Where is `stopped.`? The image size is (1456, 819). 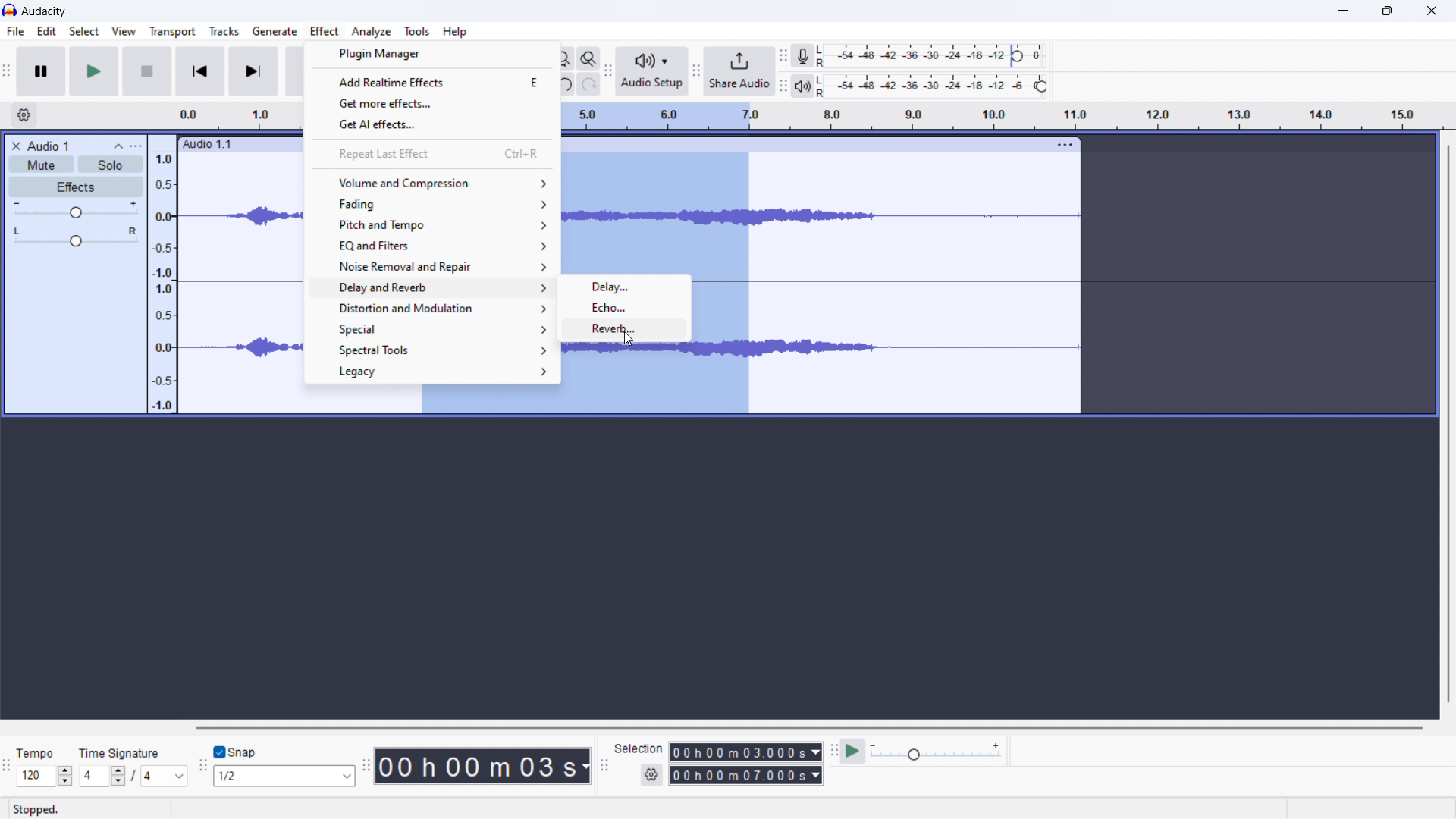
stopped. is located at coordinates (36, 810).